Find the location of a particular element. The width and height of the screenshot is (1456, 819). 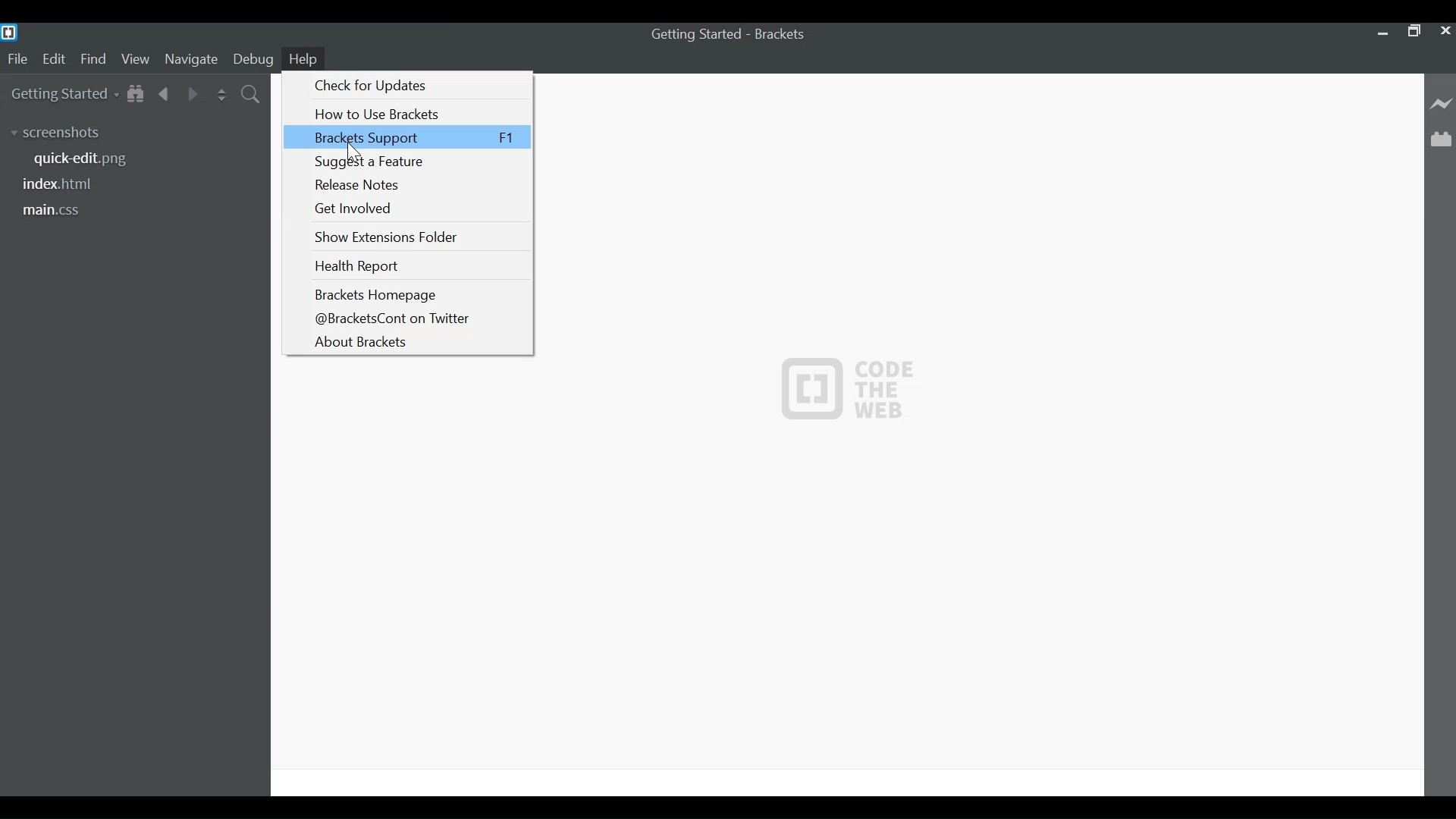

Manage Extensions is located at coordinates (1443, 138).